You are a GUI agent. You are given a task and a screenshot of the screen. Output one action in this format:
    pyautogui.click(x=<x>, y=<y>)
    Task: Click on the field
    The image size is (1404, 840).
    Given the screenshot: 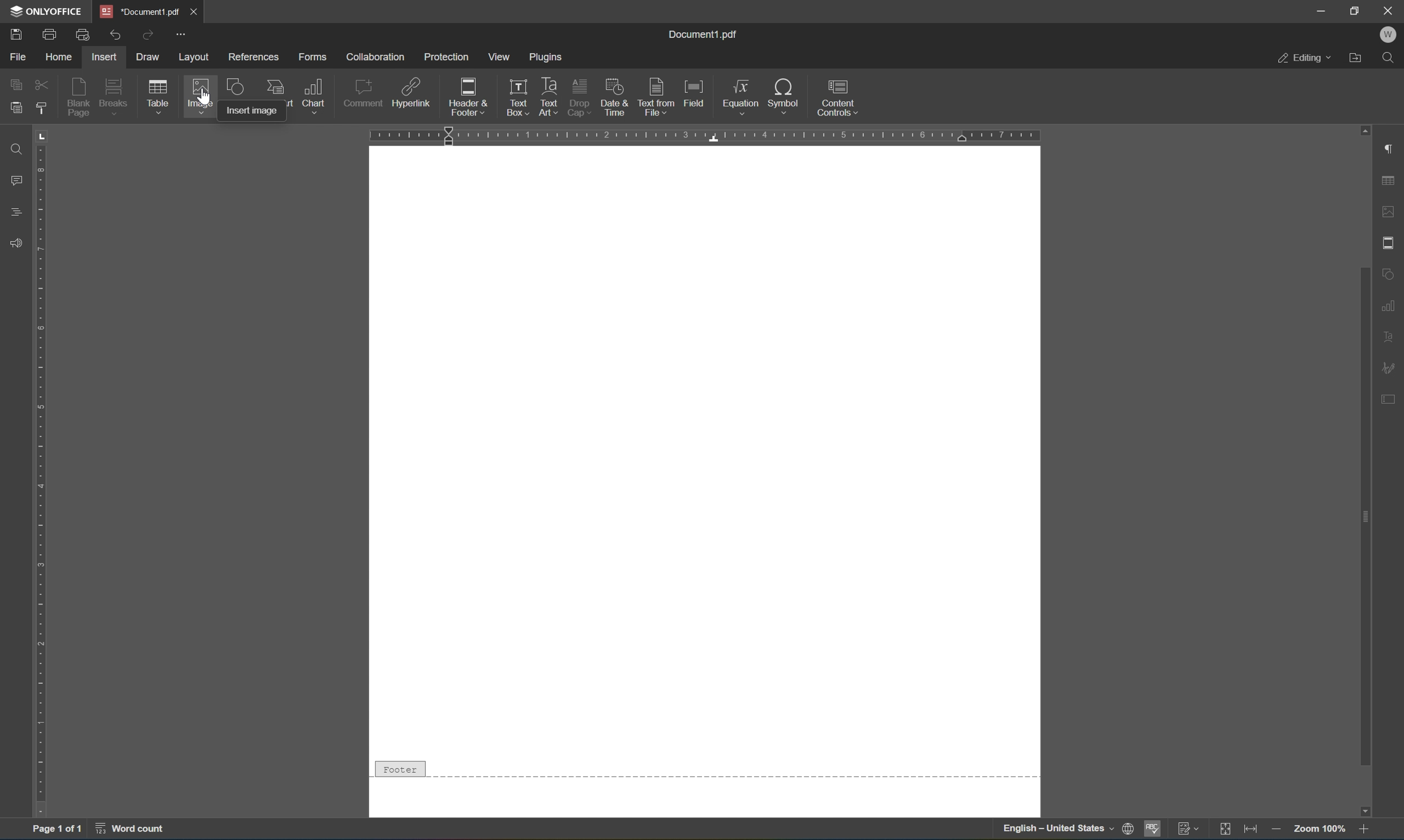 What is the action you would take?
    pyautogui.click(x=694, y=94)
    